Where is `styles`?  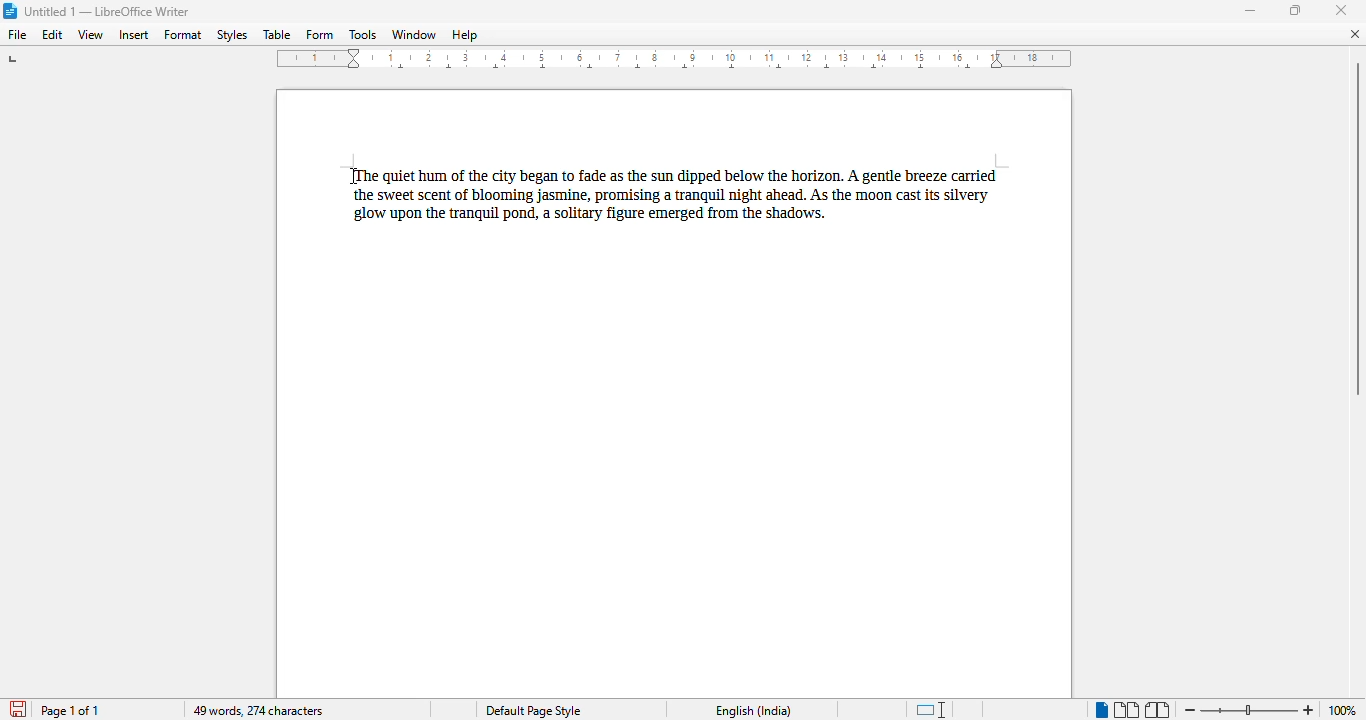
styles is located at coordinates (232, 35).